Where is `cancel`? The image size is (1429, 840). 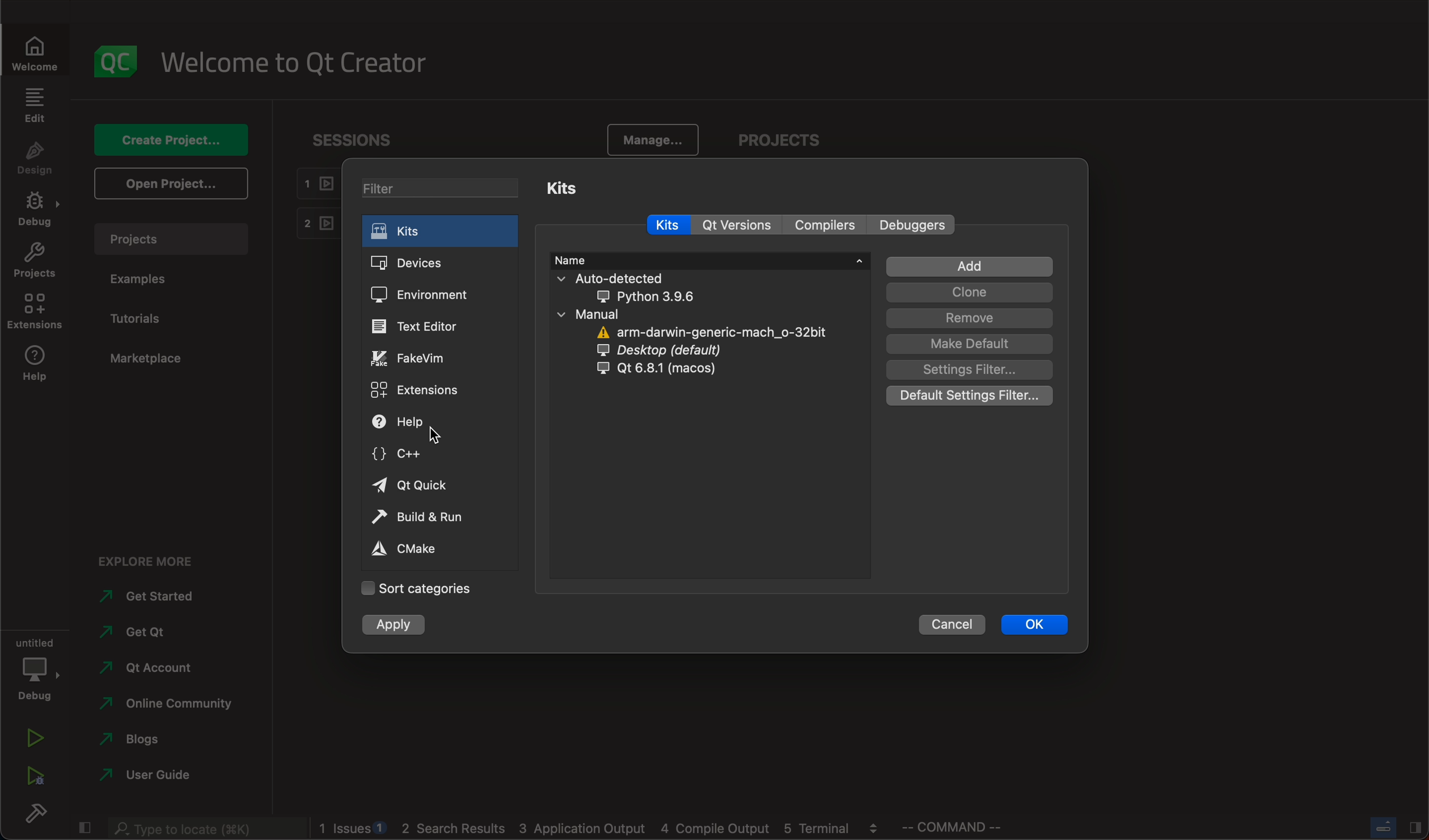 cancel is located at coordinates (938, 624).